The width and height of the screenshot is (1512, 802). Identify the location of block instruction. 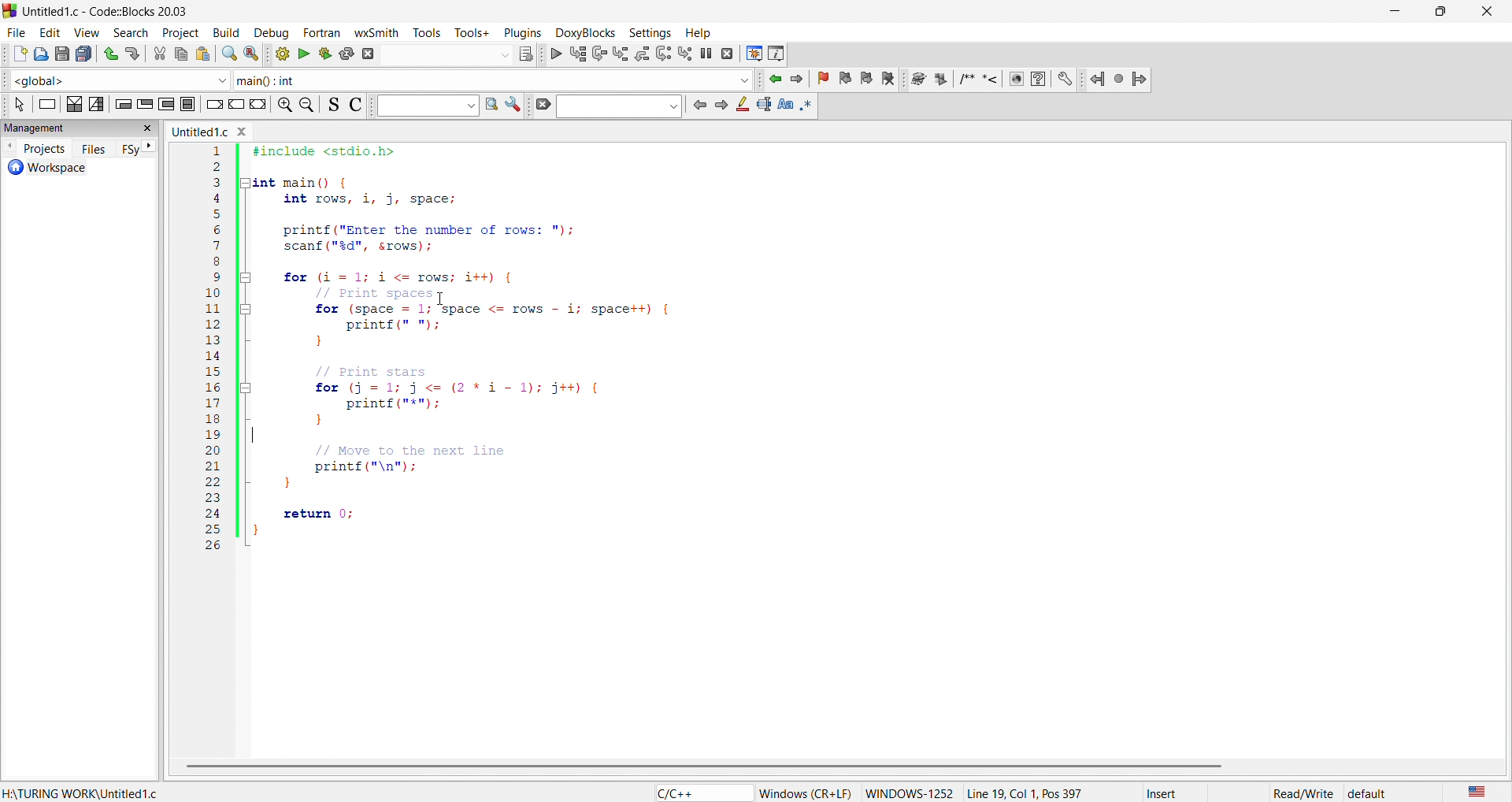
(189, 103).